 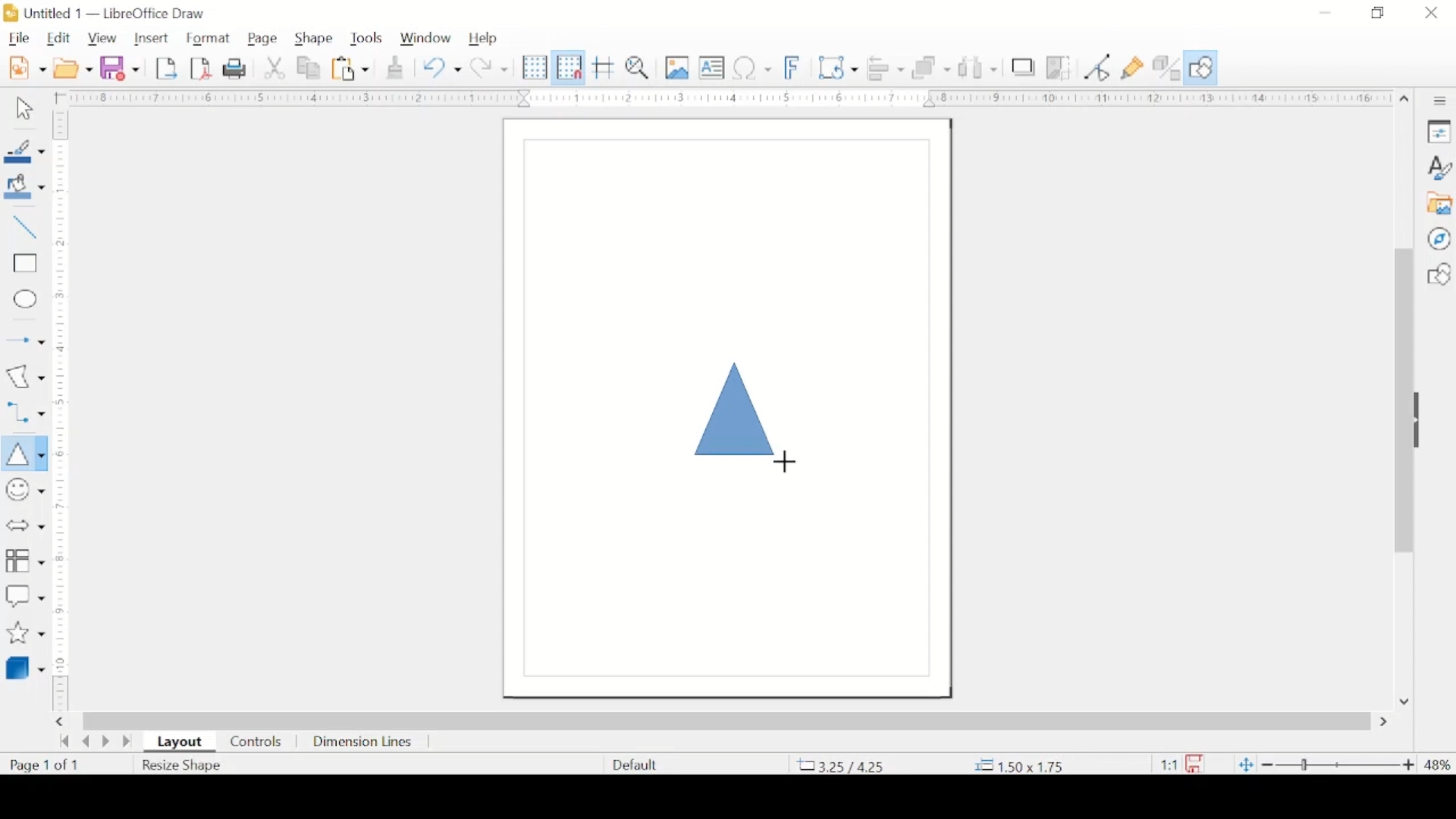 What do you see at coordinates (535, 67) in the screenshot?
I see `display grid` at bounding box center [535, 67].